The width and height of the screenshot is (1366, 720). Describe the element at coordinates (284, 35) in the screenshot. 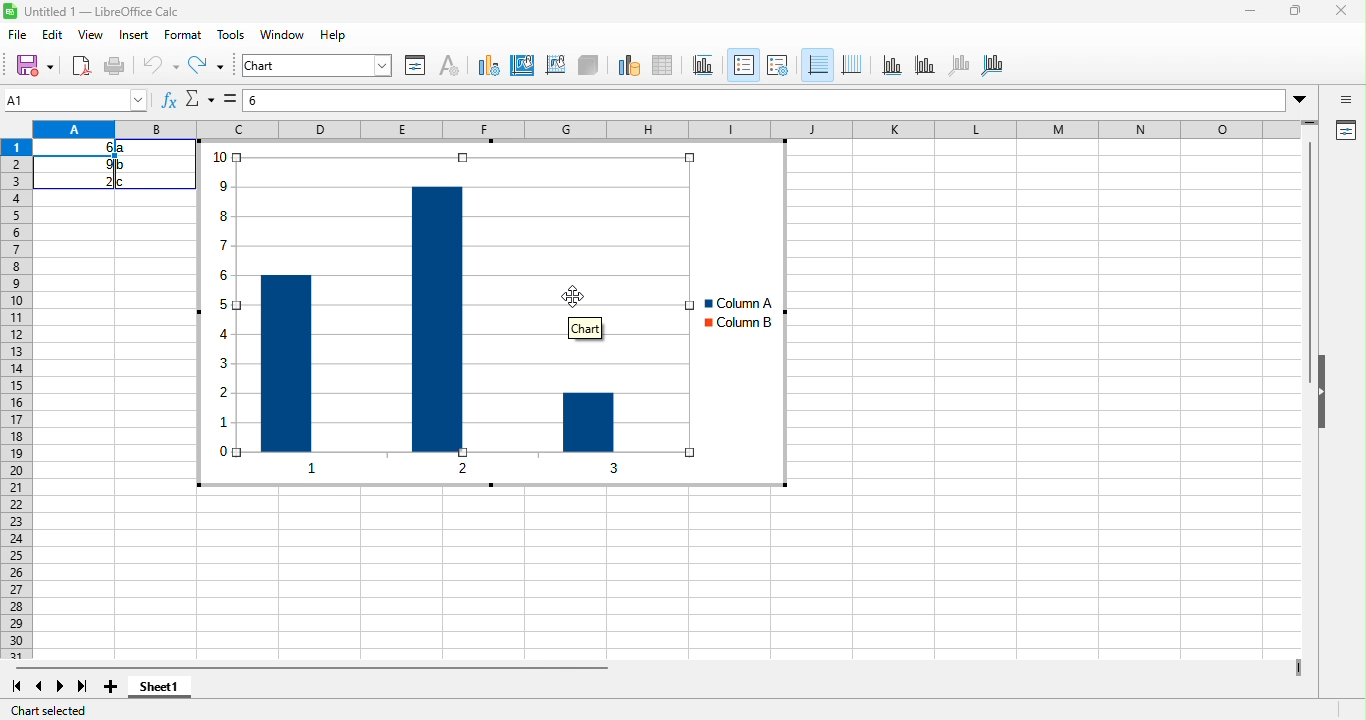

I see `window` at that location.